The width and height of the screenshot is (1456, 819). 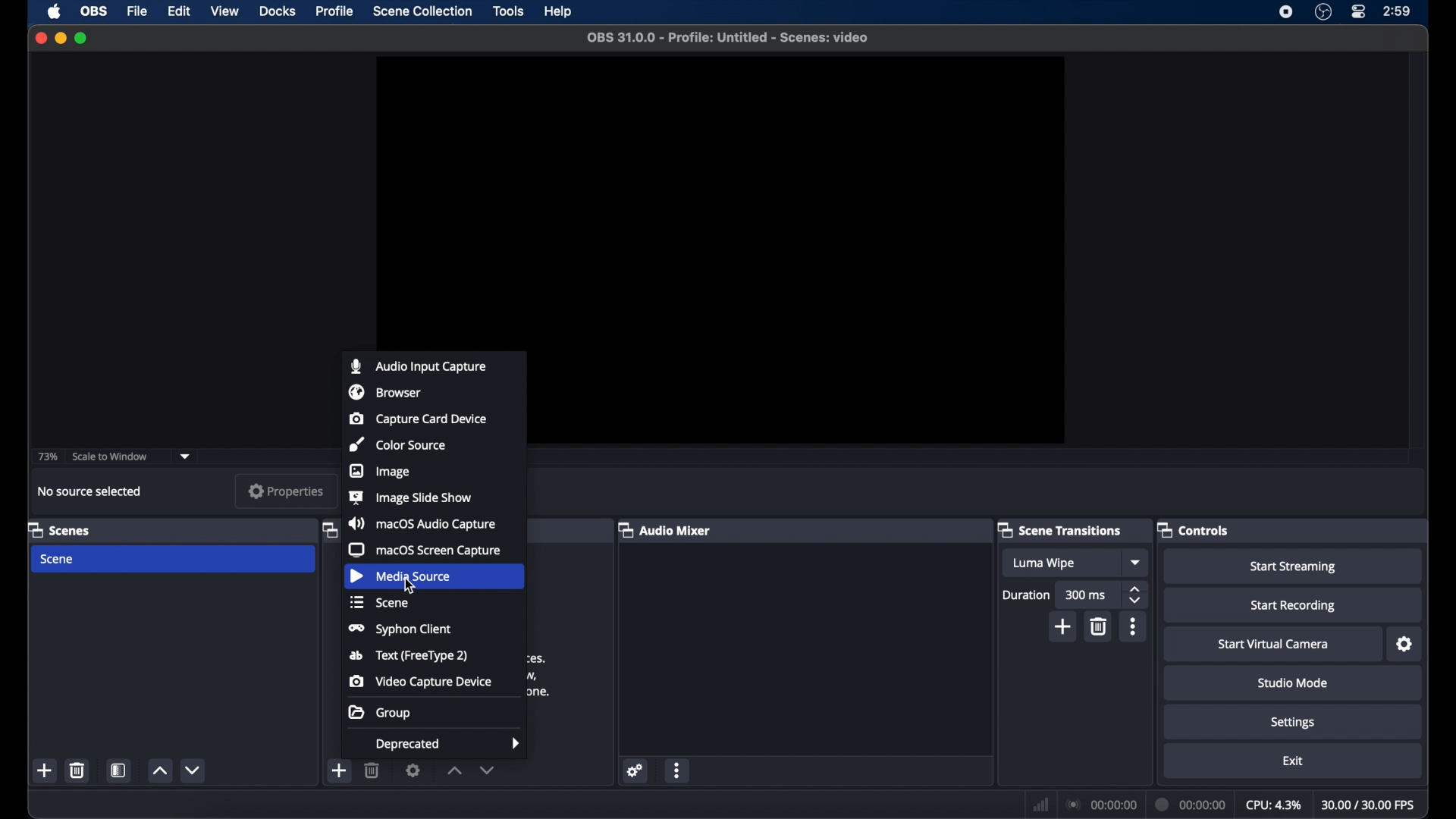 What do you see at coordinates (1059, 529) in the screenshot?
I see `scene transitions` at bounding box center [1059, 529].